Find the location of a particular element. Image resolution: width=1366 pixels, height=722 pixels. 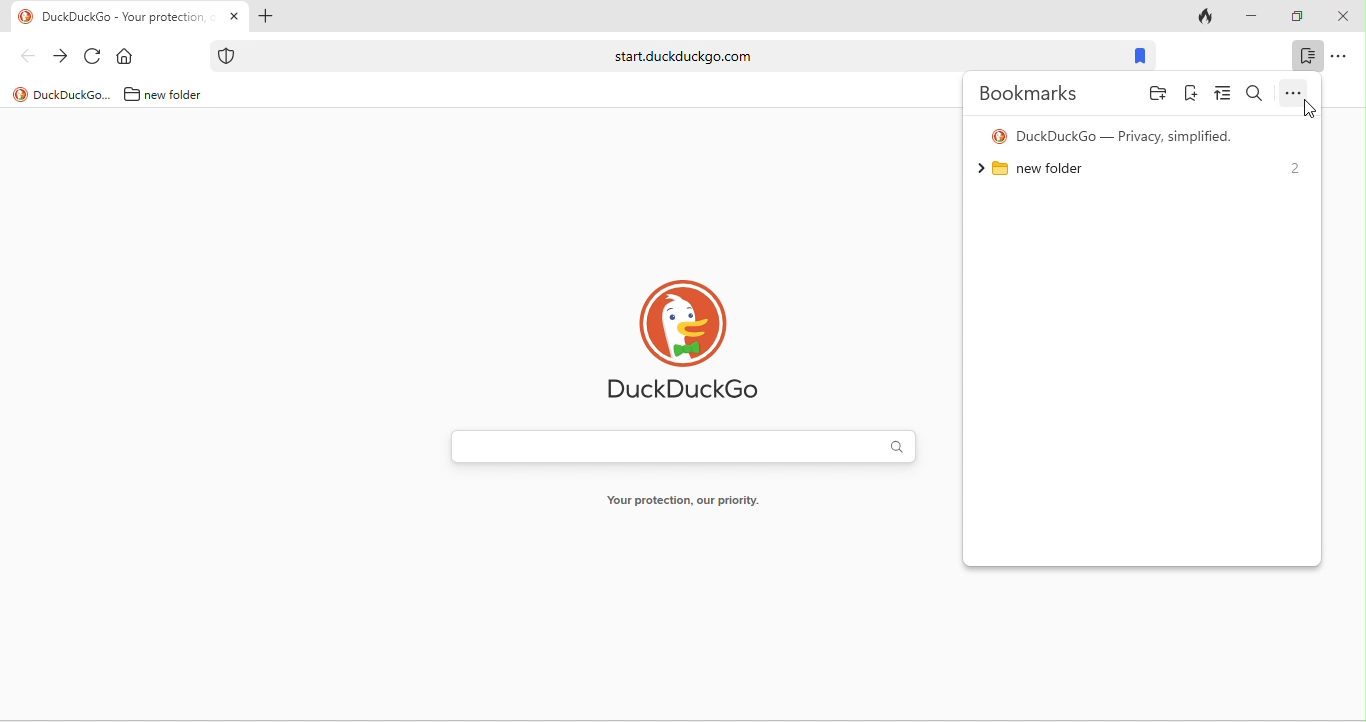

options is located at coordinates (1339, 56).